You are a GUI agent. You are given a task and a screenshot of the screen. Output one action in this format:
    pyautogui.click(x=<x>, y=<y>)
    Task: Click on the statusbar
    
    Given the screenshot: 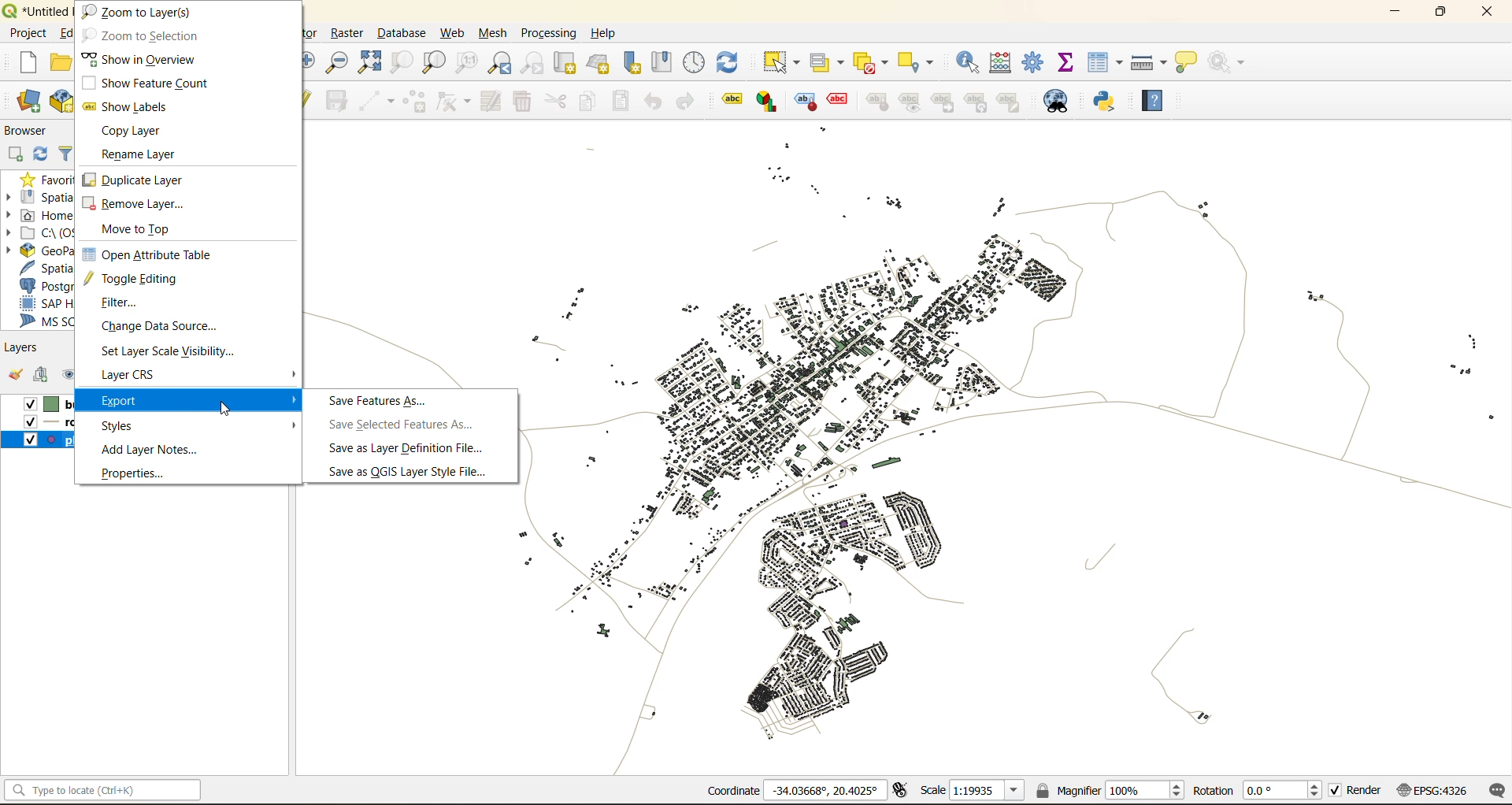 What is the action you would take?
    pyautogui.click(x=107, y=789)
    